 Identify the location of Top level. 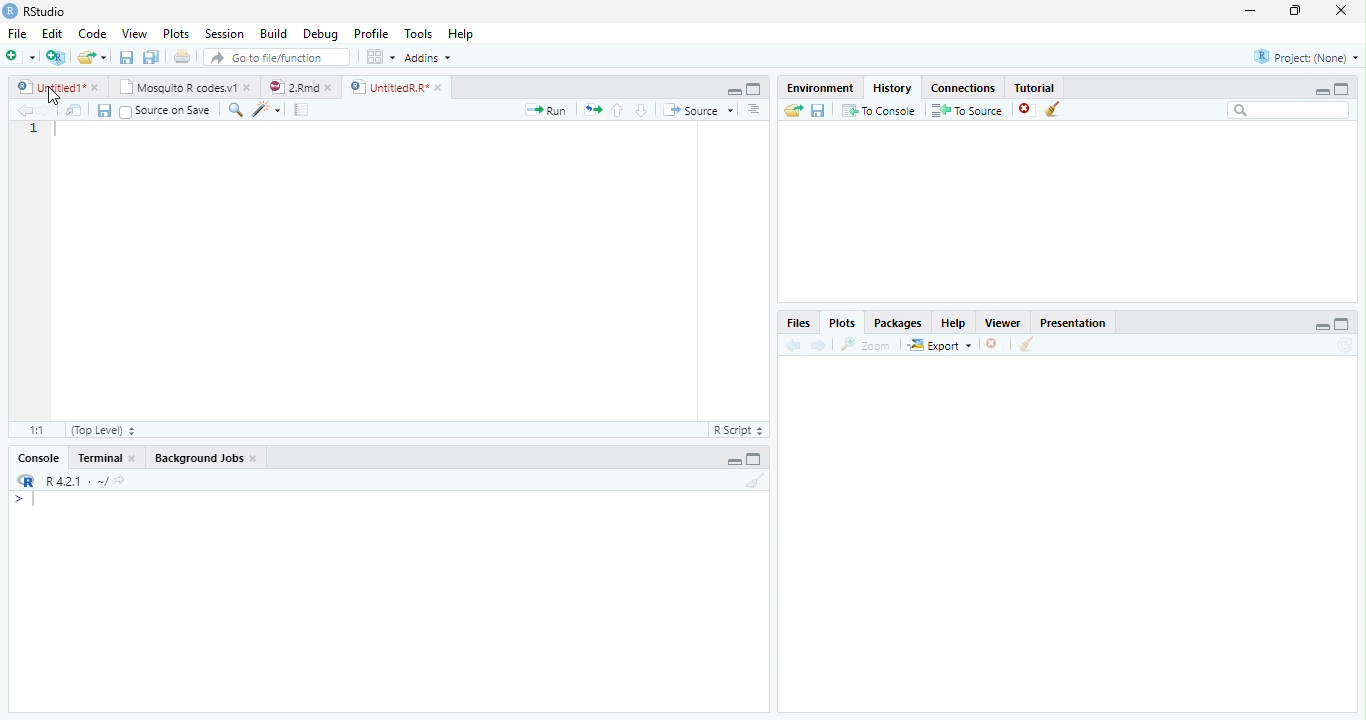
(102, 432).